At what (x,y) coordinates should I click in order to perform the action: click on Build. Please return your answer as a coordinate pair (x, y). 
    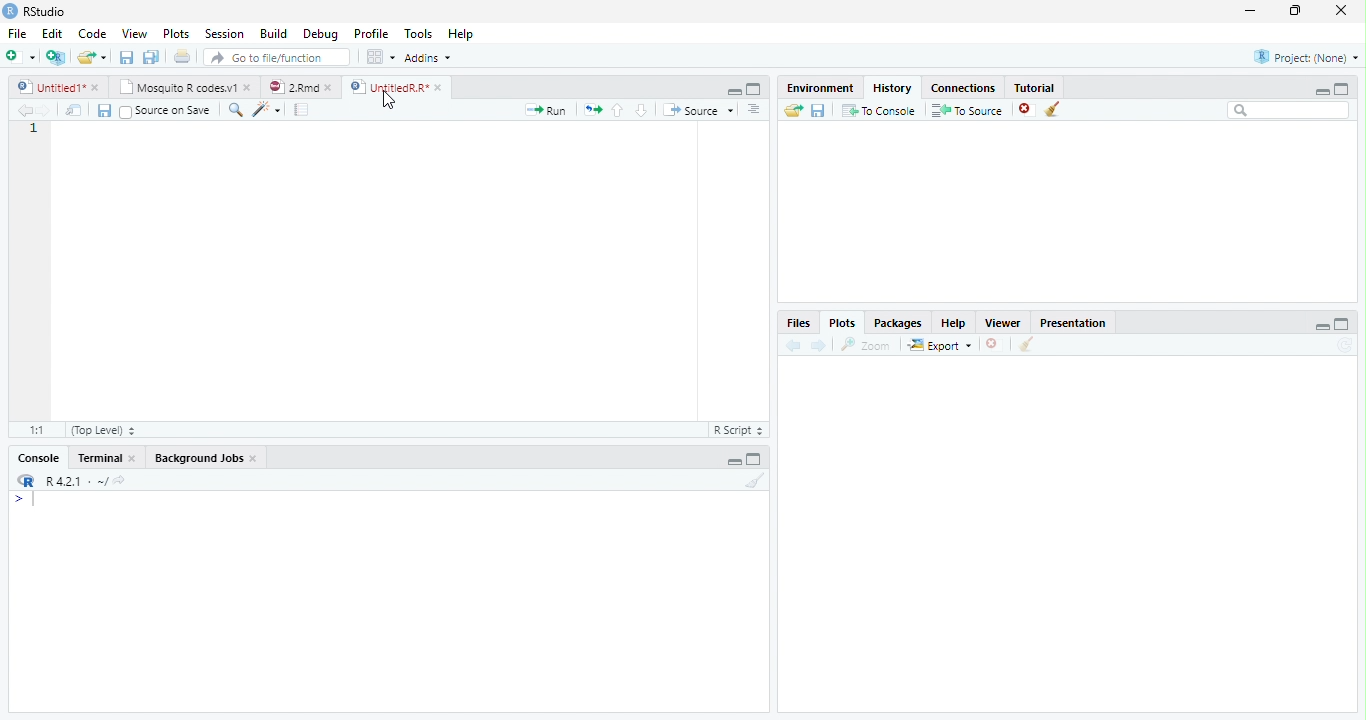
    Looking at the image, I should click on (271, 35).